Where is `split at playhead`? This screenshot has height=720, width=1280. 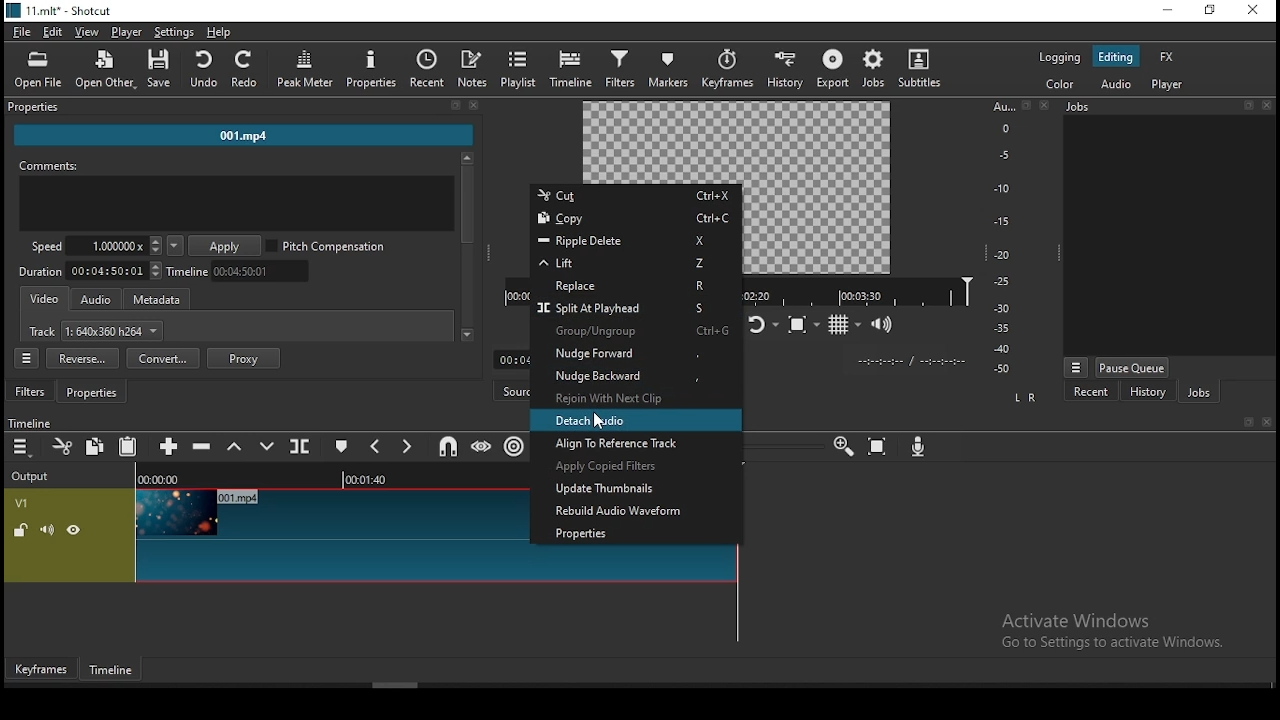
split at playhead is located at coordinates (626, 306).